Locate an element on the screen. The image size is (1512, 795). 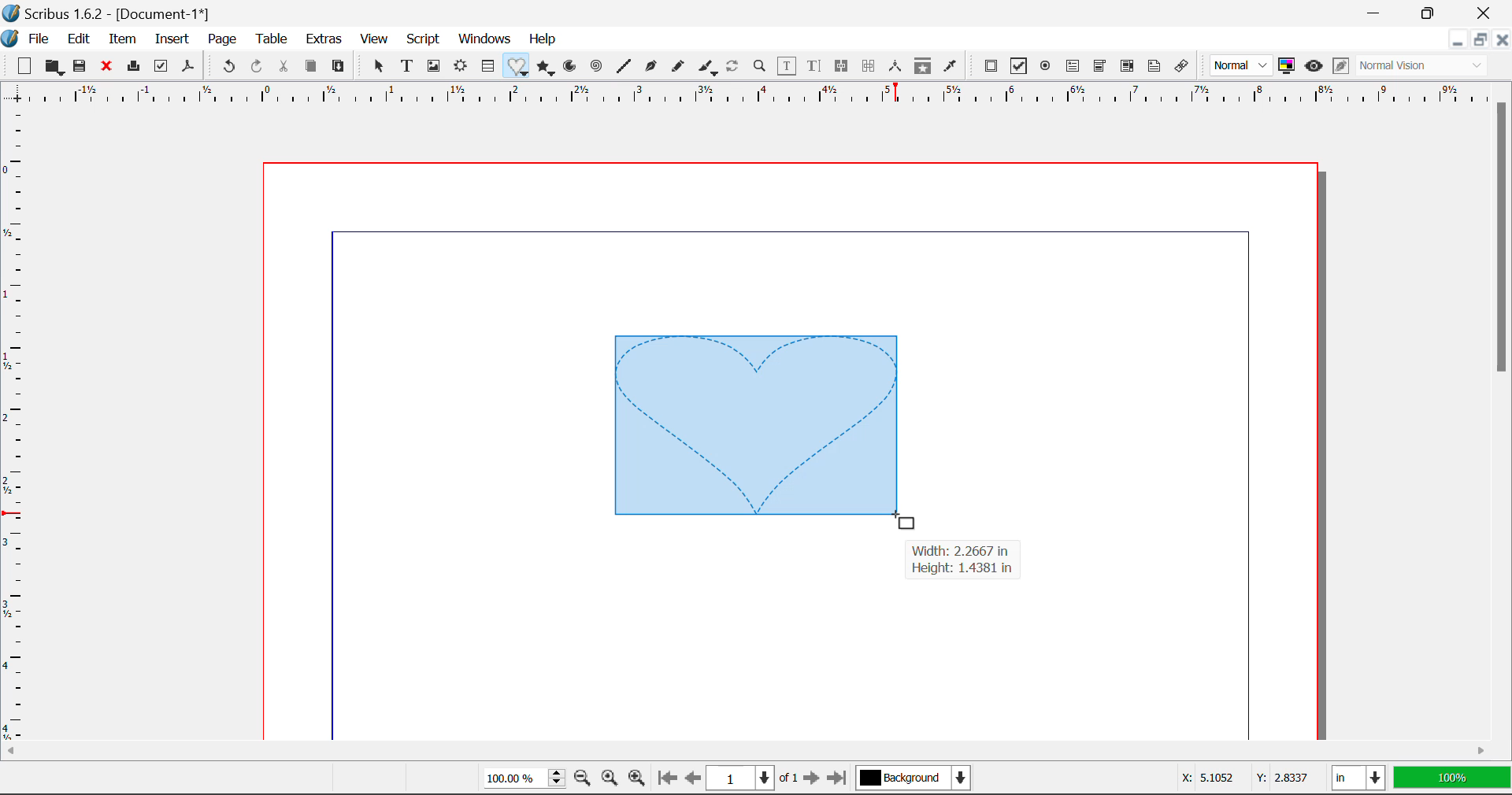
1 of 1 is located at coordinates (753, 778).